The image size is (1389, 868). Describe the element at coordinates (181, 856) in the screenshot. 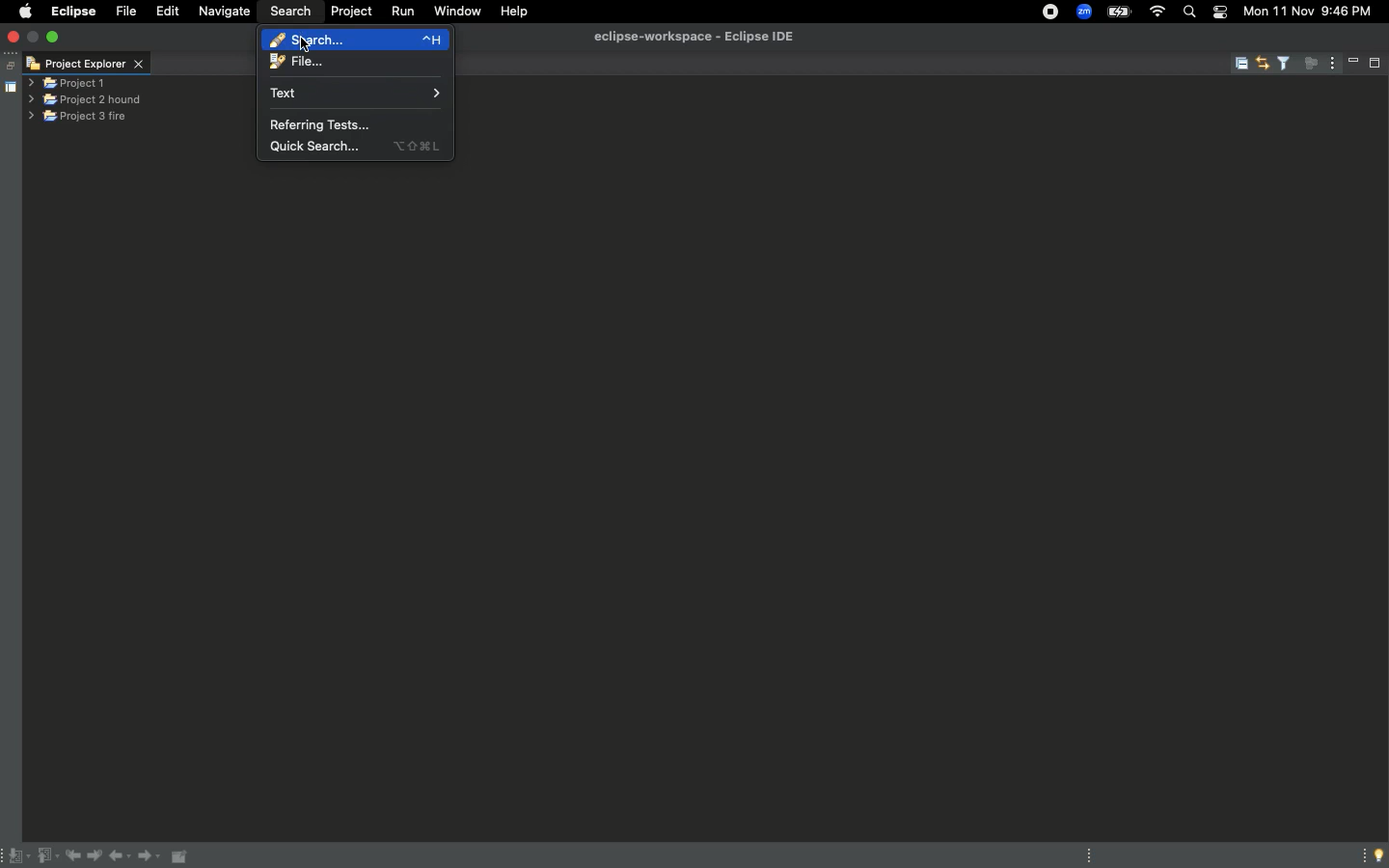

I see `Pin editor` at that location.